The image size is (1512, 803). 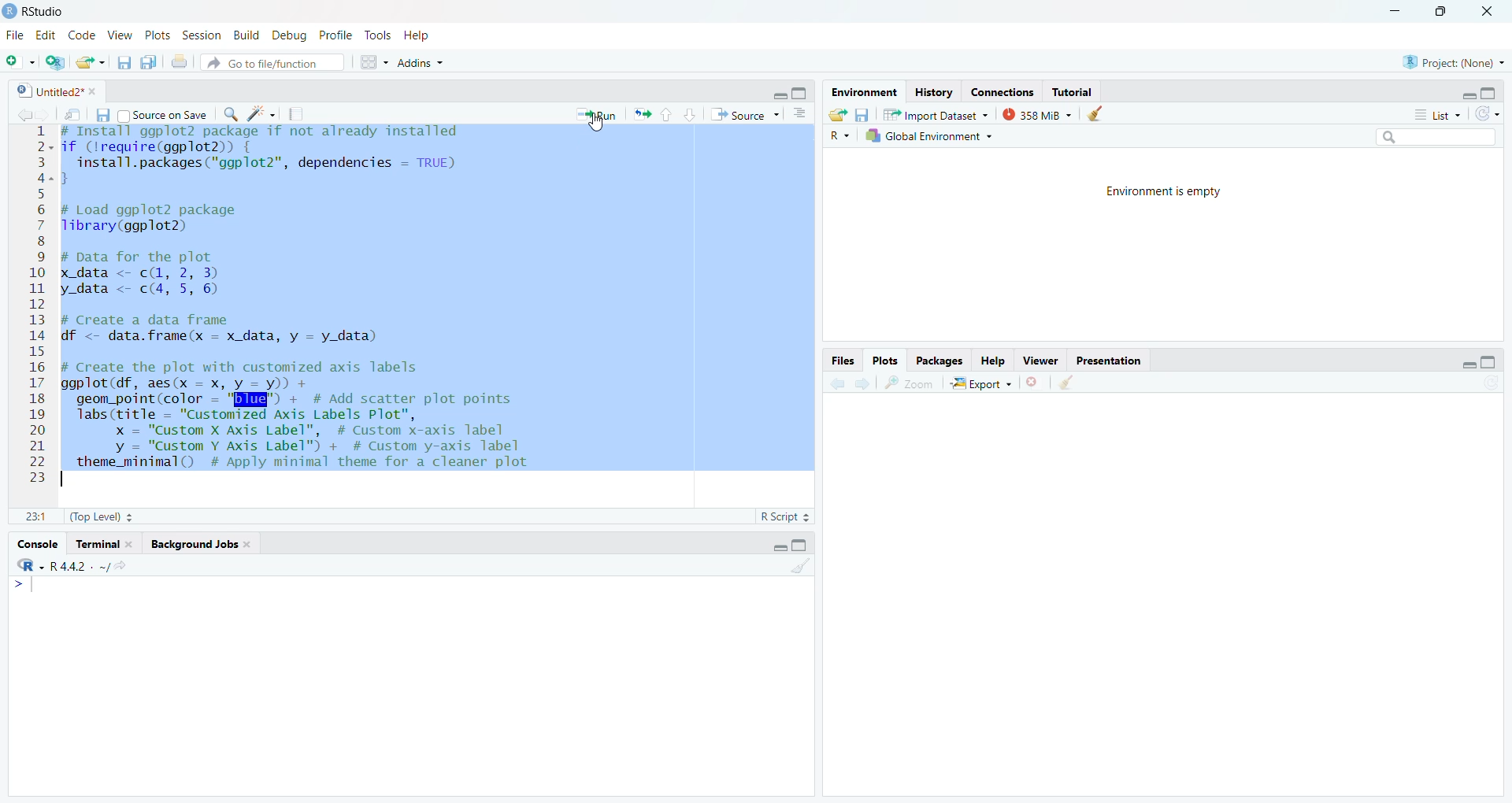 What do you see at coordinates (835, 385) in the screenshot?
I see `back` at bounding box center [835, 385].